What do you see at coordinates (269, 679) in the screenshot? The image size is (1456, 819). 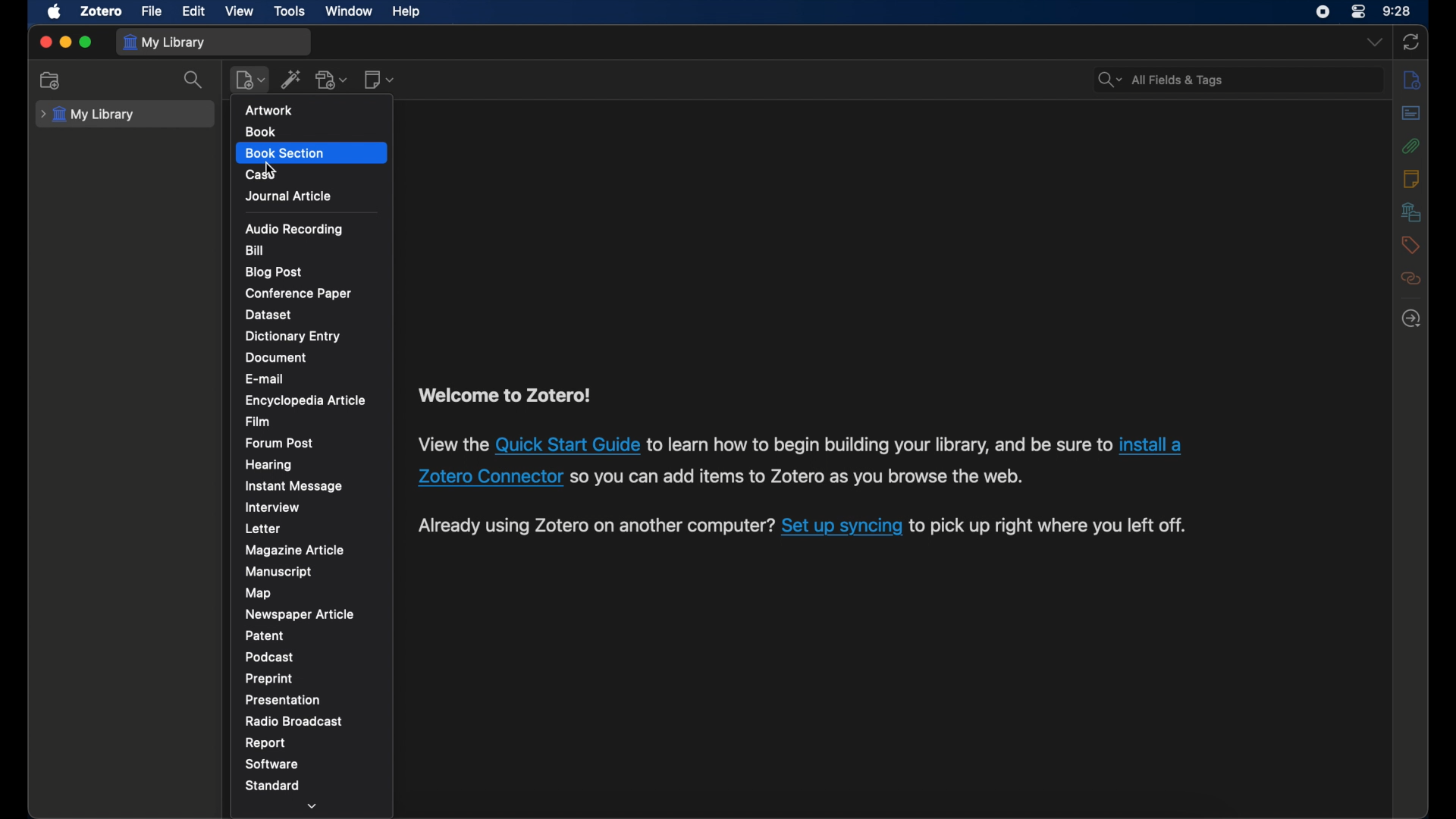 I see `preprint` at bounding box center [269, 679].